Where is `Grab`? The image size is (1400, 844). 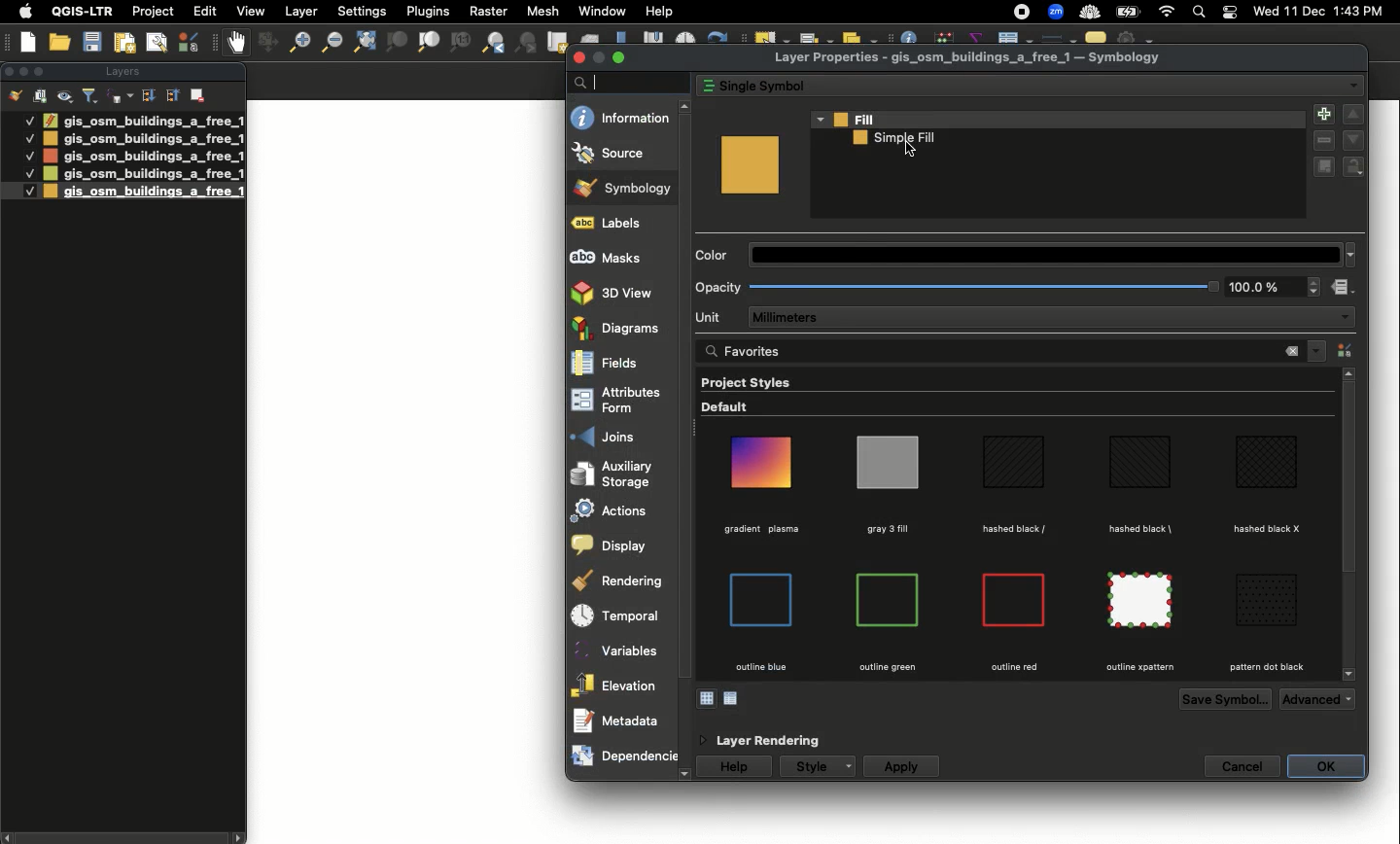
Grab is located at coordinates (237, 42).